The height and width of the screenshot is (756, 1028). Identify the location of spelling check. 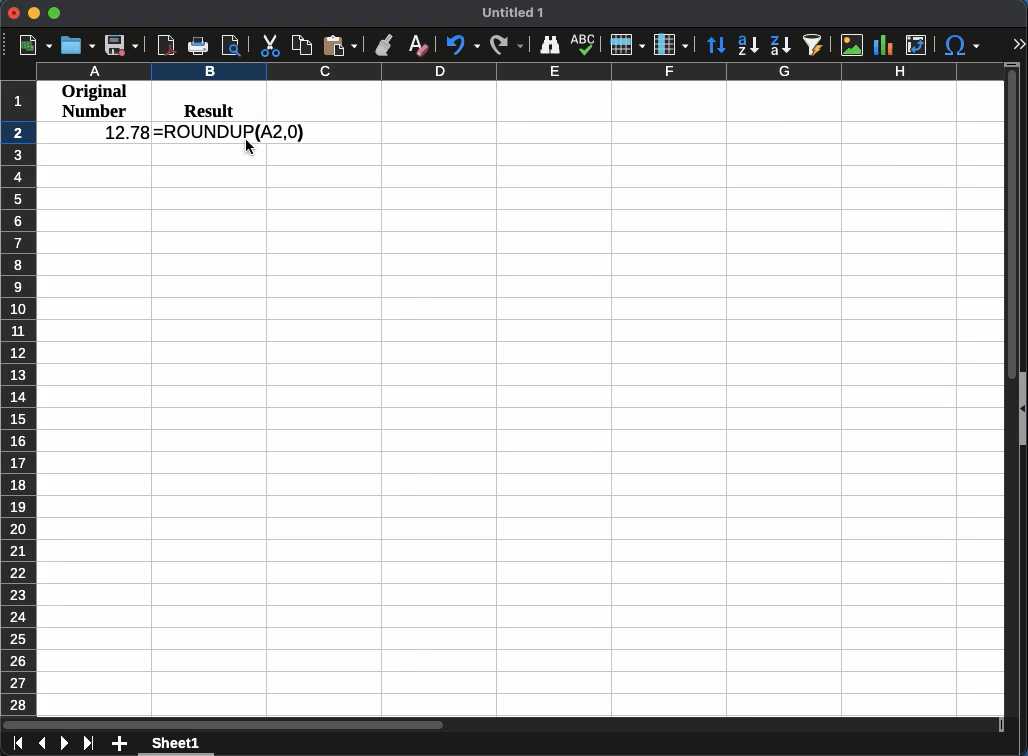
(586, 42).